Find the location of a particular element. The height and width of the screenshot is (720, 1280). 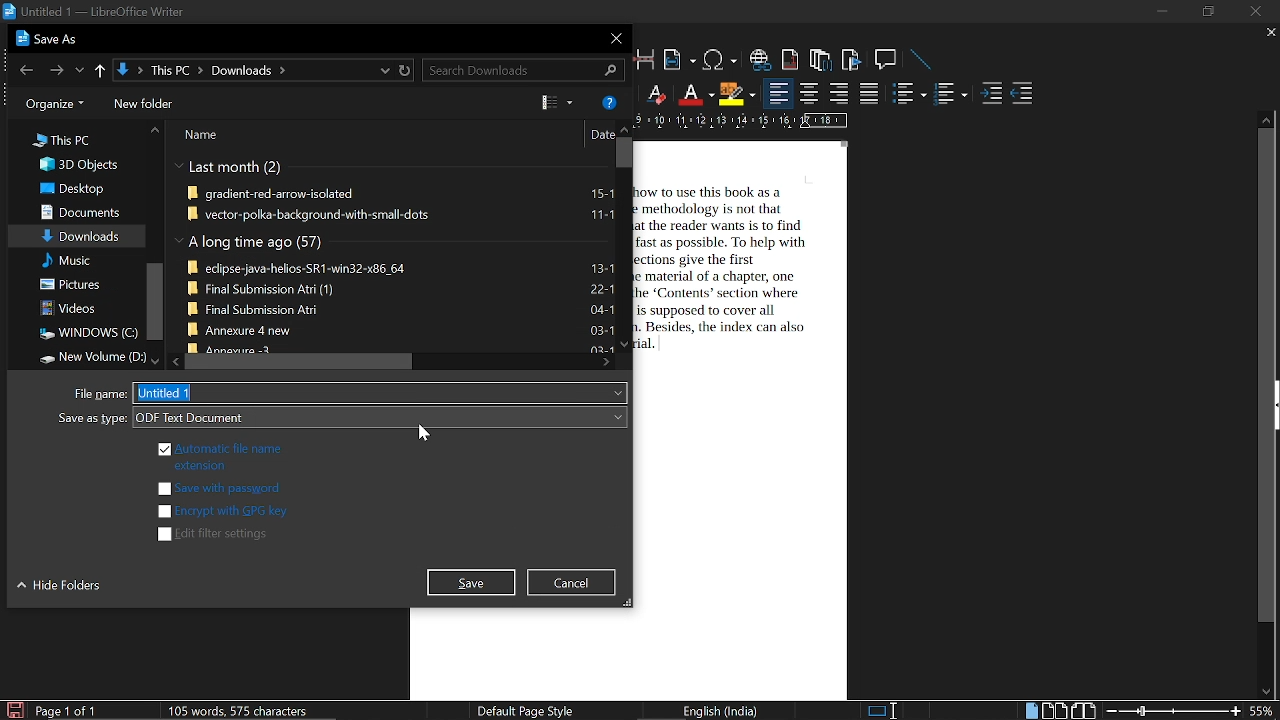

page style is located at coordinates (522, 710).